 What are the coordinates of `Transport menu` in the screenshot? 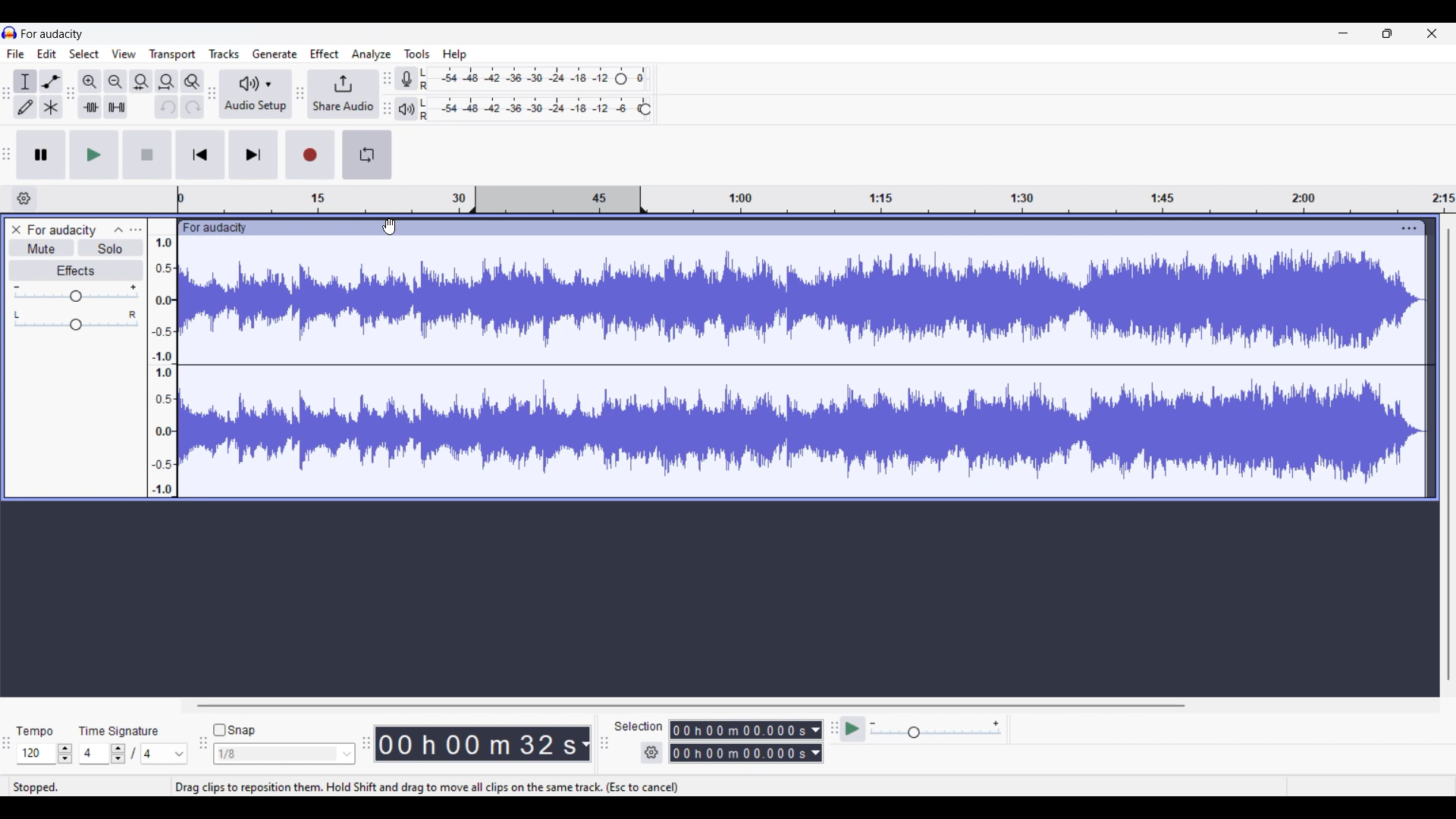 It's located at (173, 55).